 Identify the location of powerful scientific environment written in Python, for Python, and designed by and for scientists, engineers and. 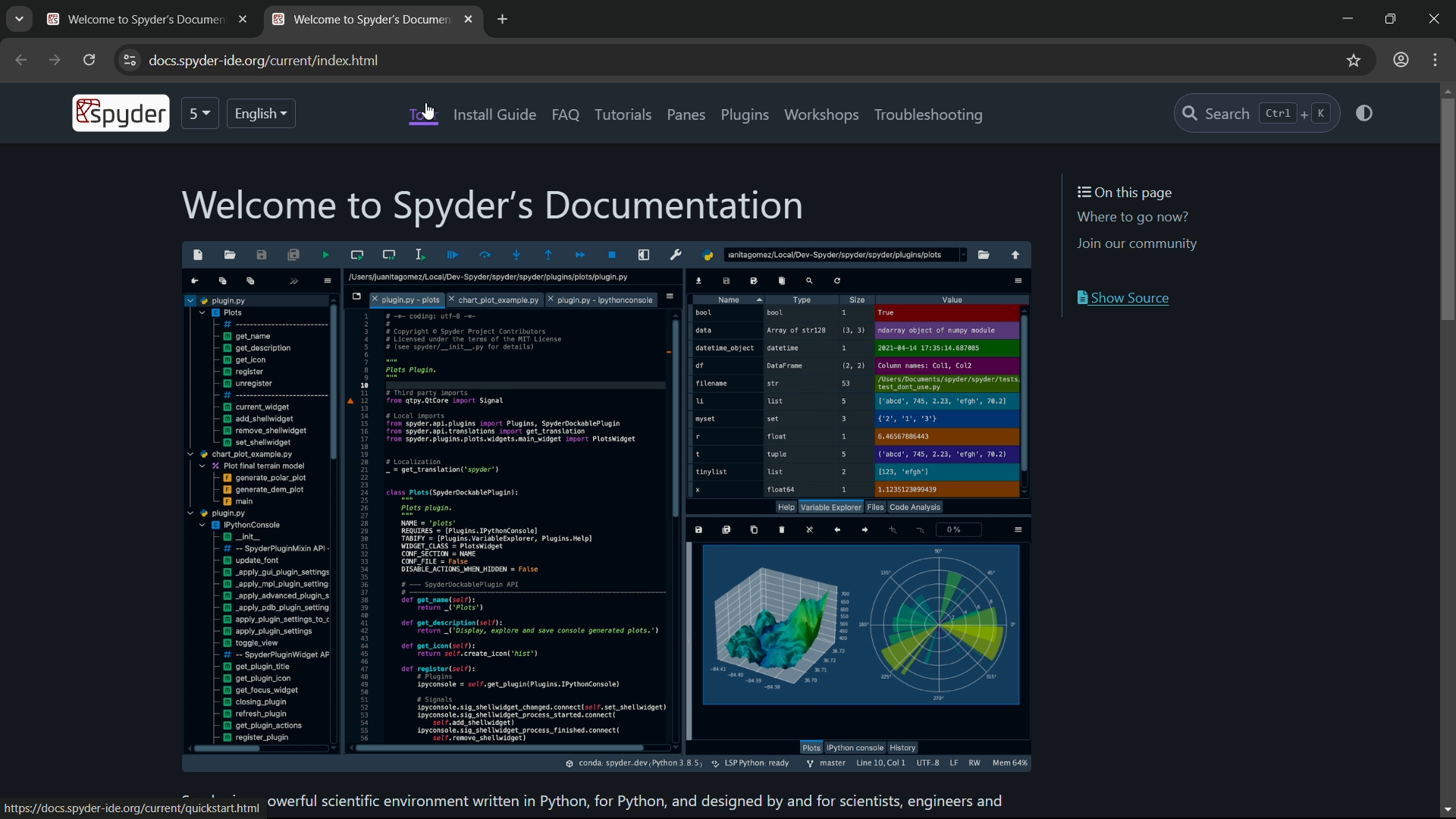
(638, 799).